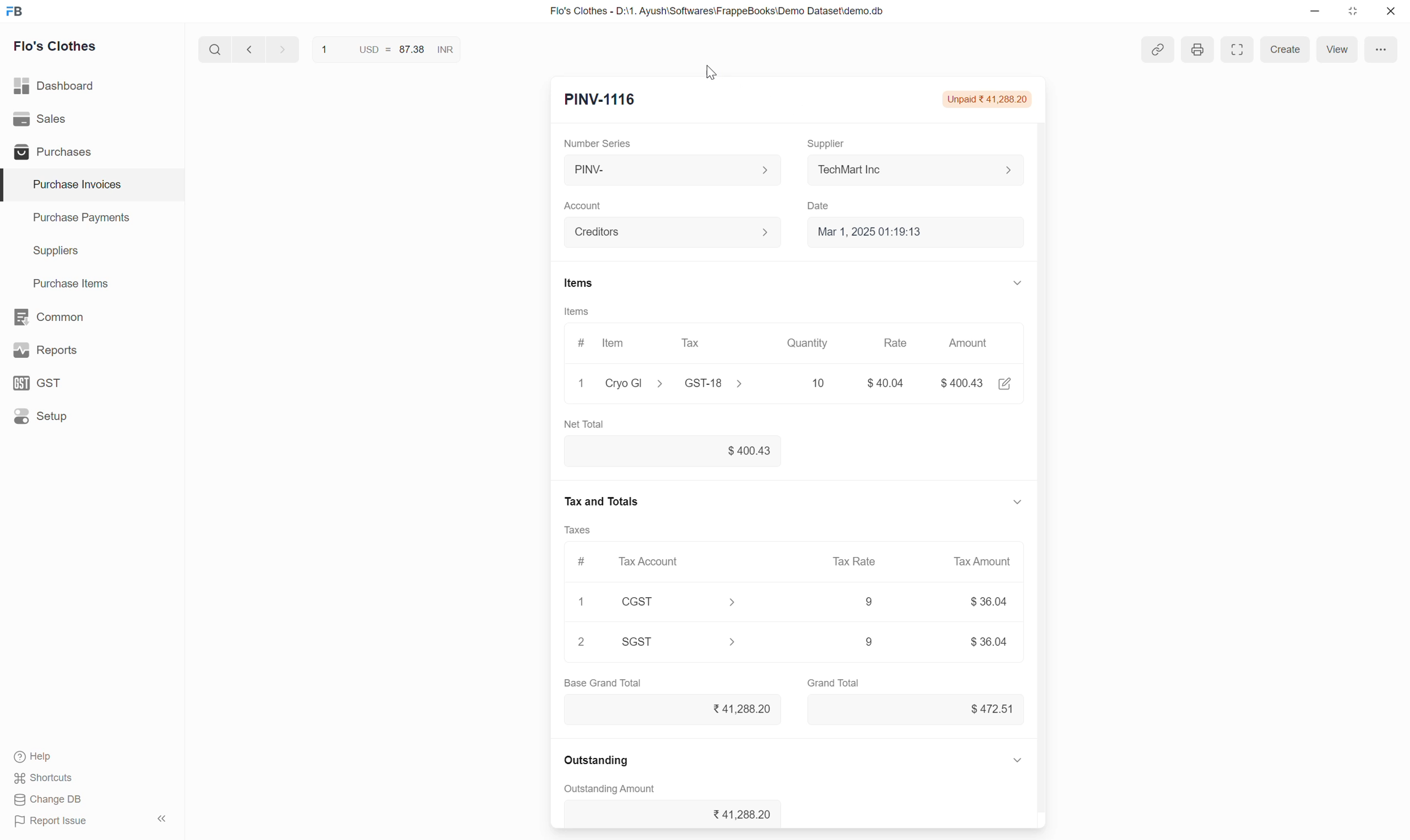  I want to click on Common, so click(50, 316).